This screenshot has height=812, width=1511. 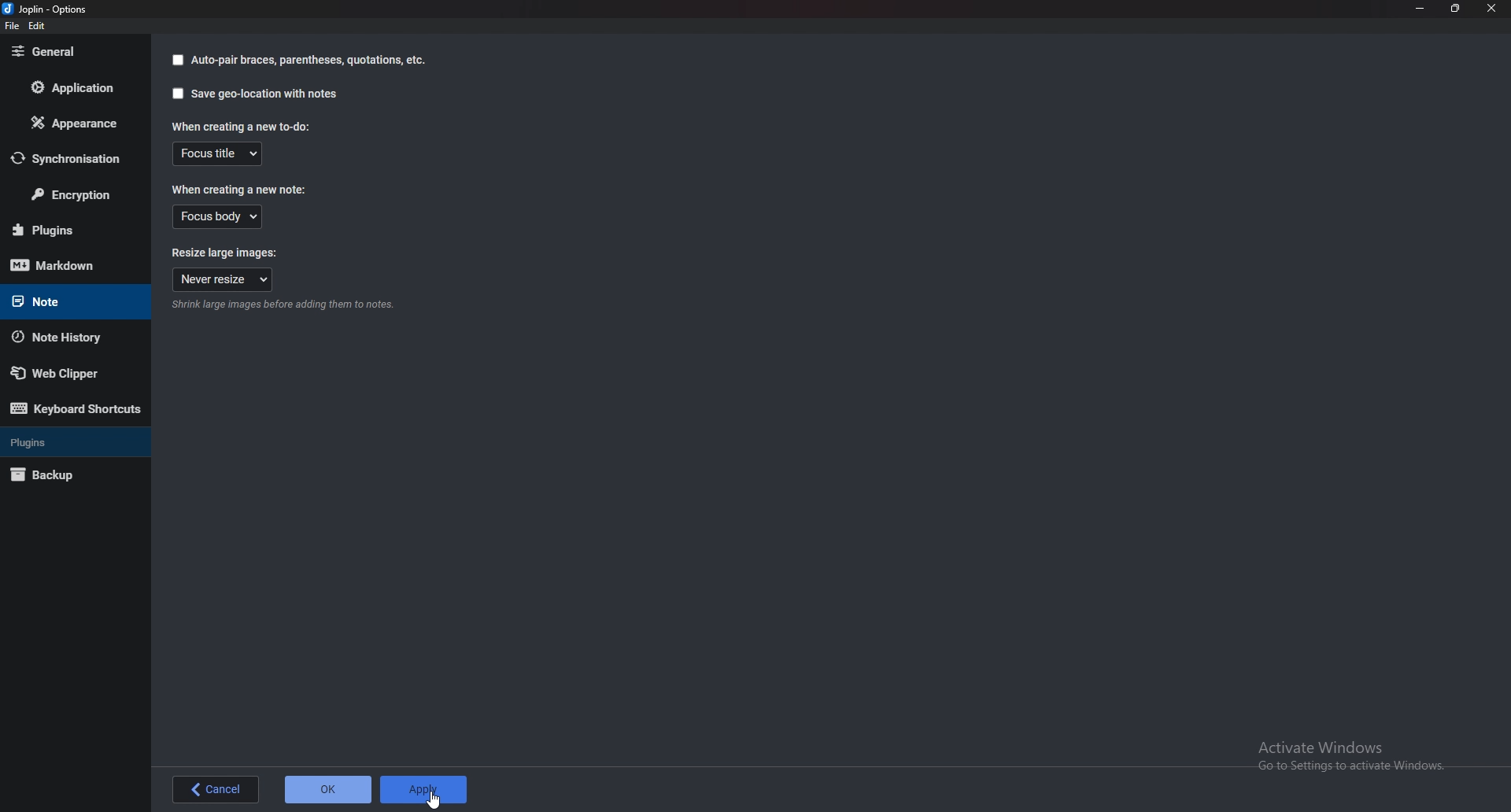 I want to click on info, so click(x=280, y=307).